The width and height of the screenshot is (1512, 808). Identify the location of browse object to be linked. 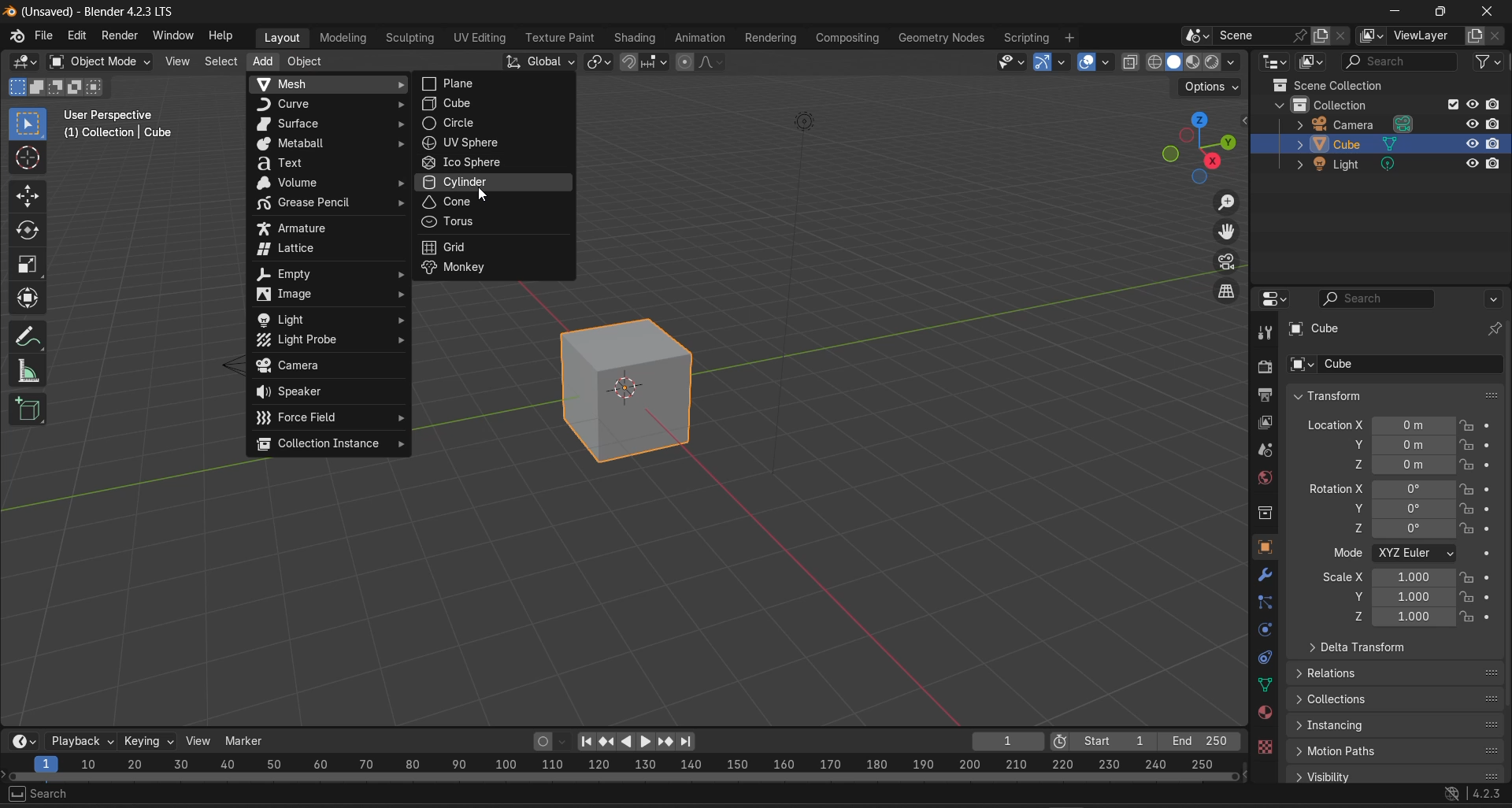
(1302, 365).